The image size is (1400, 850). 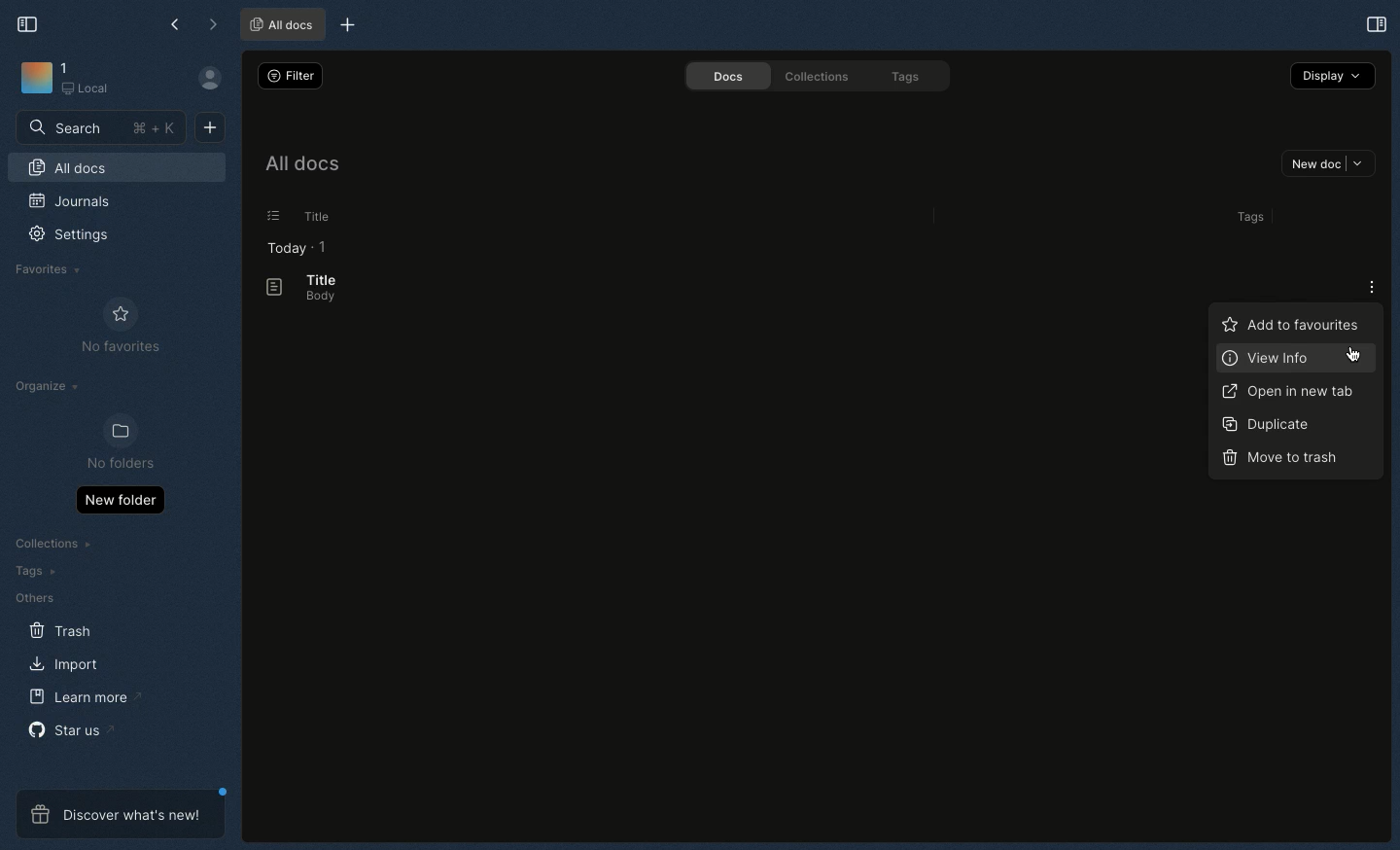 I want to click on Body, so click(x=314, y=298).